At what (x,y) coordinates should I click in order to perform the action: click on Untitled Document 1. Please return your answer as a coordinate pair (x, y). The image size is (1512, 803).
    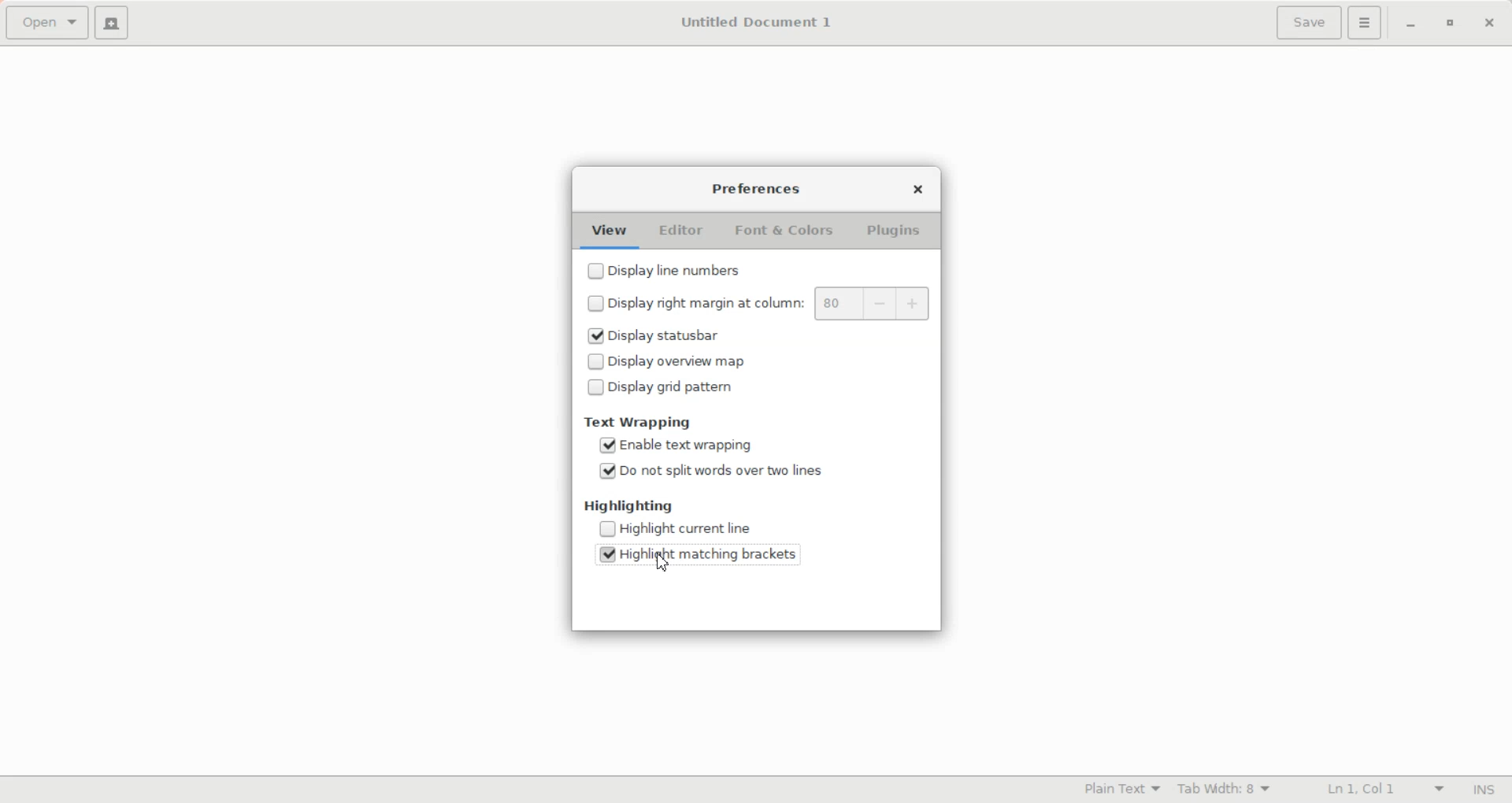
    Looking at the image, I should click on (756, 22).